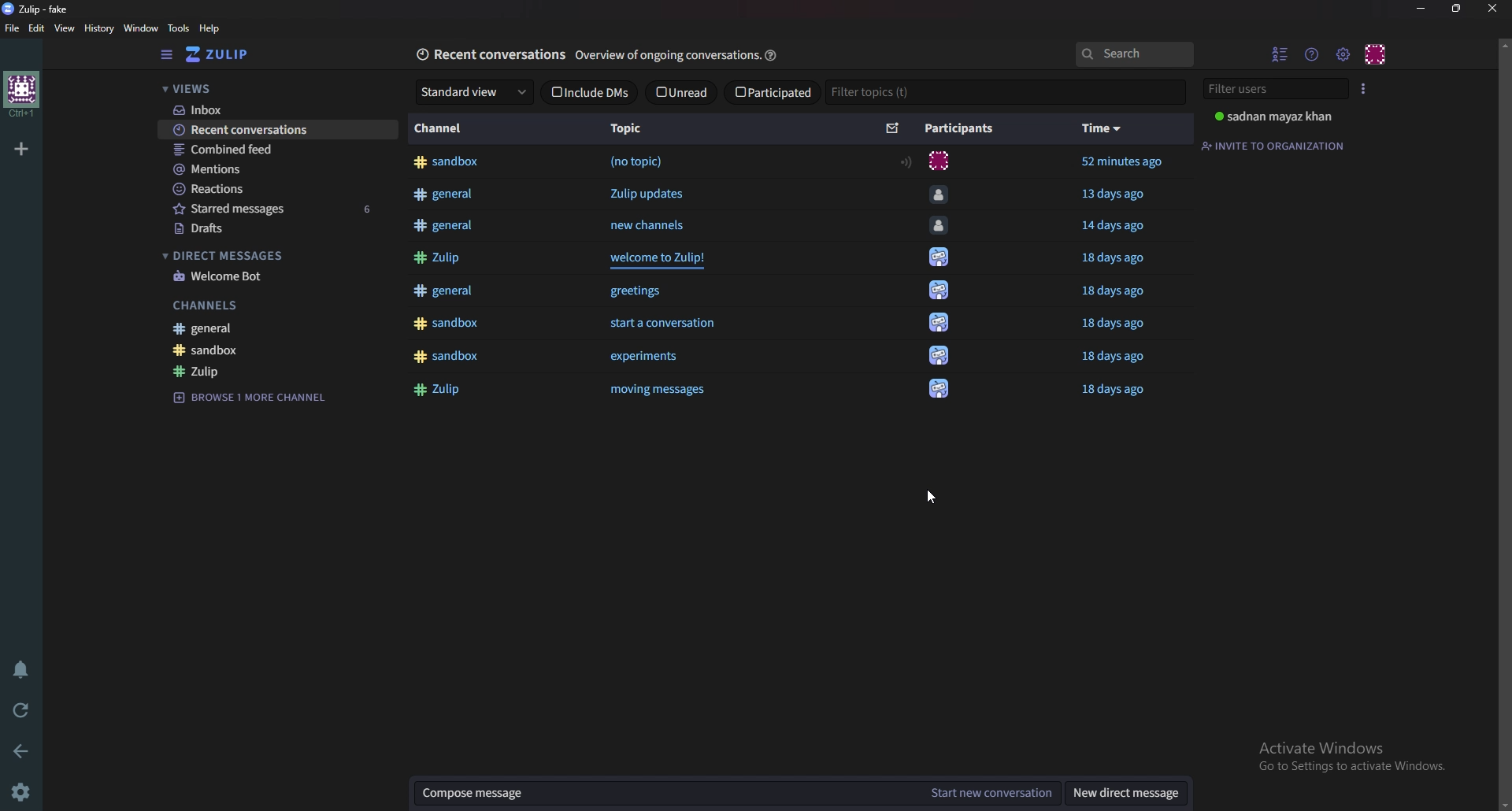  I want to click on Window, so click(143, 28).